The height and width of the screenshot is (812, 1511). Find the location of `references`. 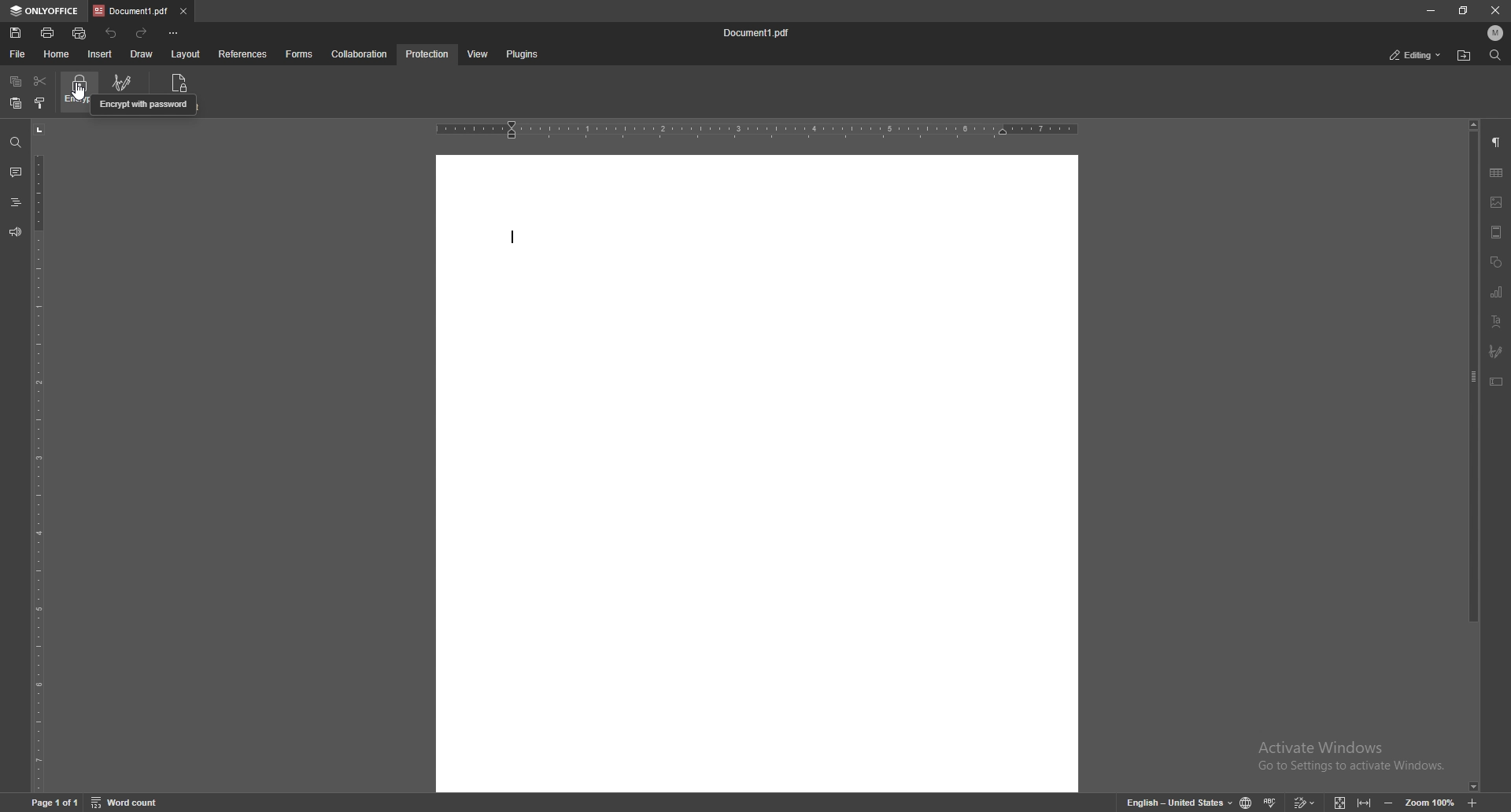

references is located at coordinates (242, 55).